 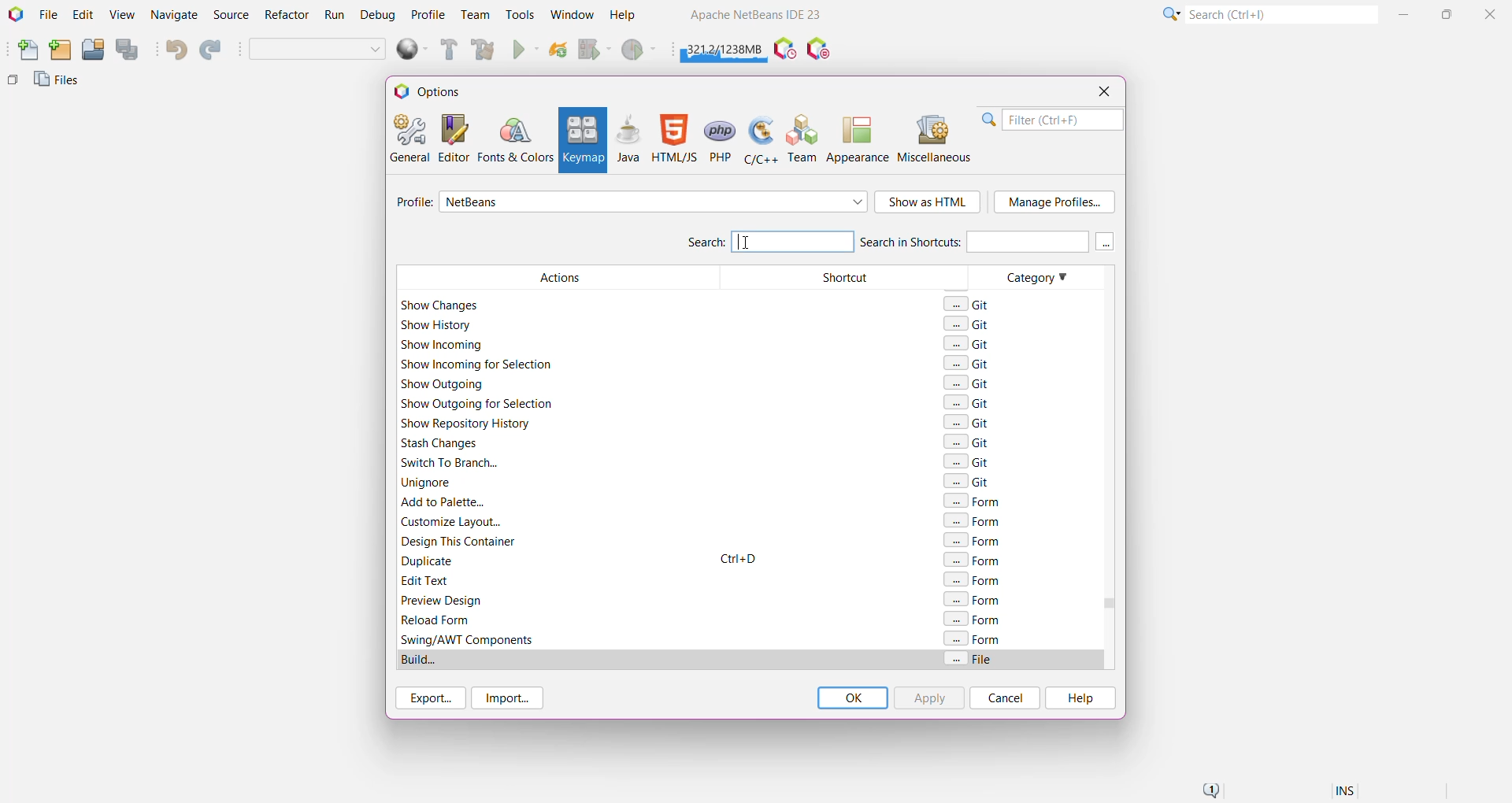 What do you see at coordinates (515, 139) in the screenshot?
I see `Fonts and Colors` at bounding box center [515, 139].